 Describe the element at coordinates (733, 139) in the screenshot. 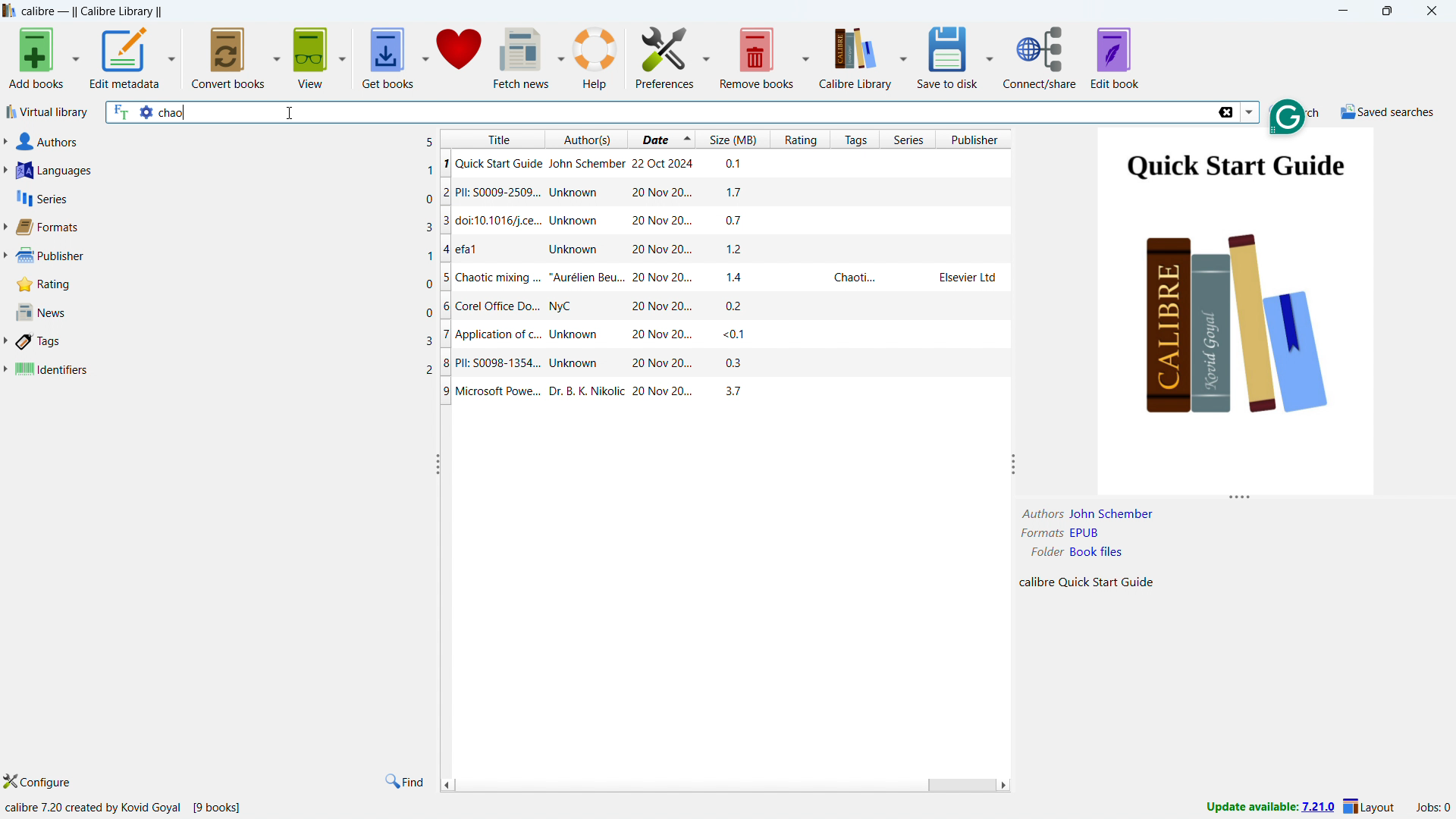

I see `sort by size` at that location.